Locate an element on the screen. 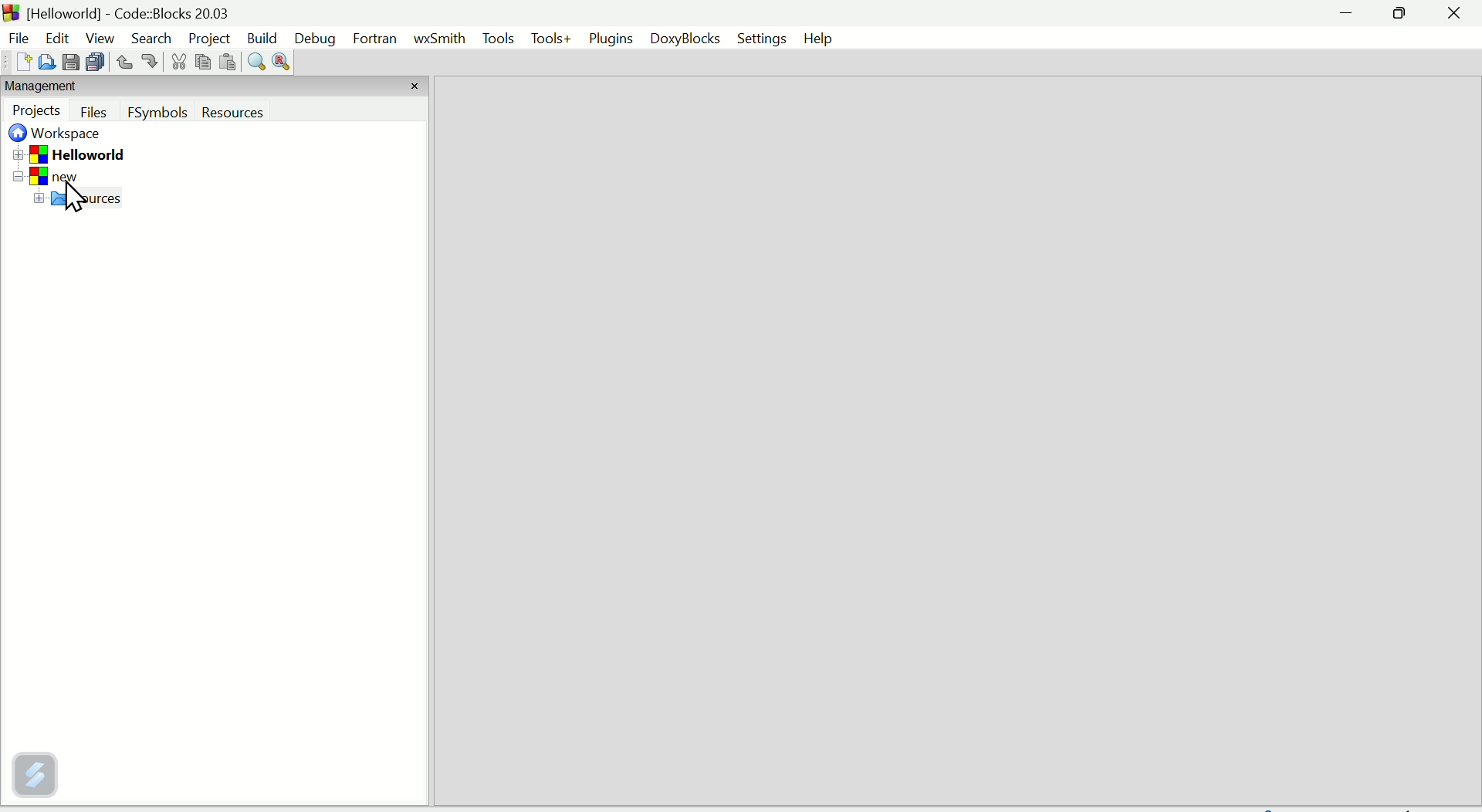 The height and width of the screenshot is (812, 1482). fortran is located at coordinates (378, 40).